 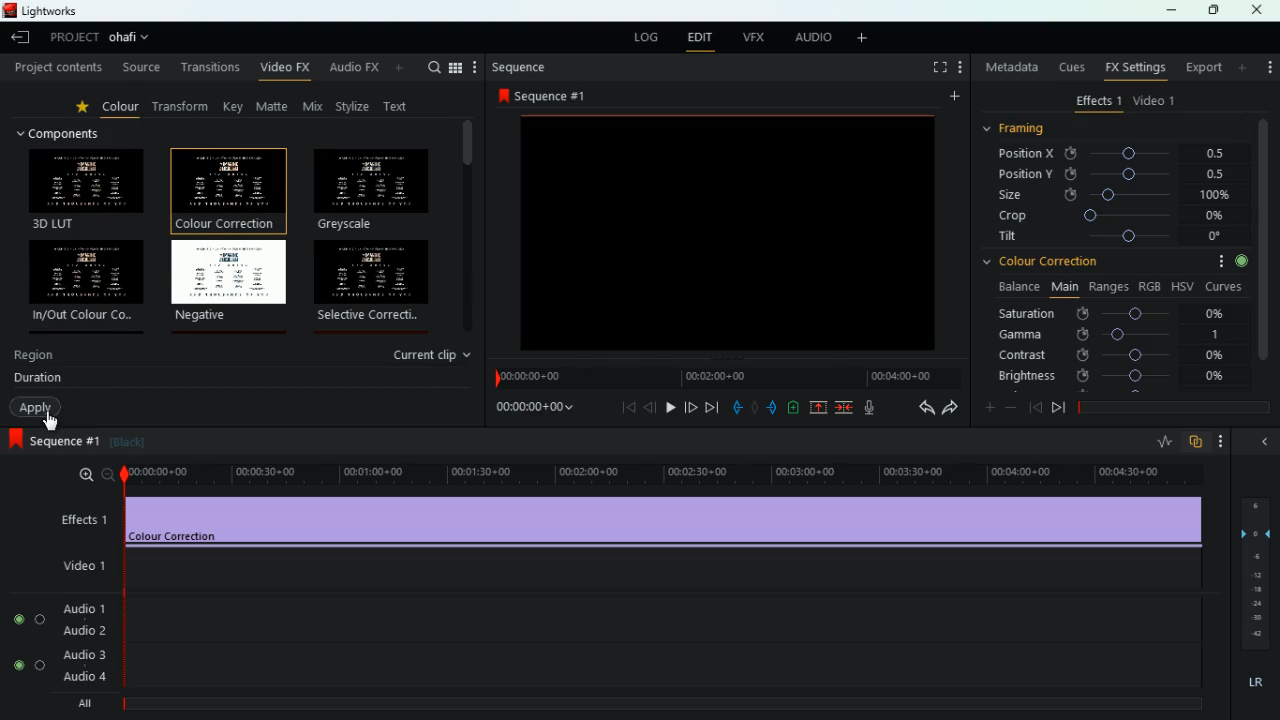 I want to click on colour, so click(x=122, y=110).